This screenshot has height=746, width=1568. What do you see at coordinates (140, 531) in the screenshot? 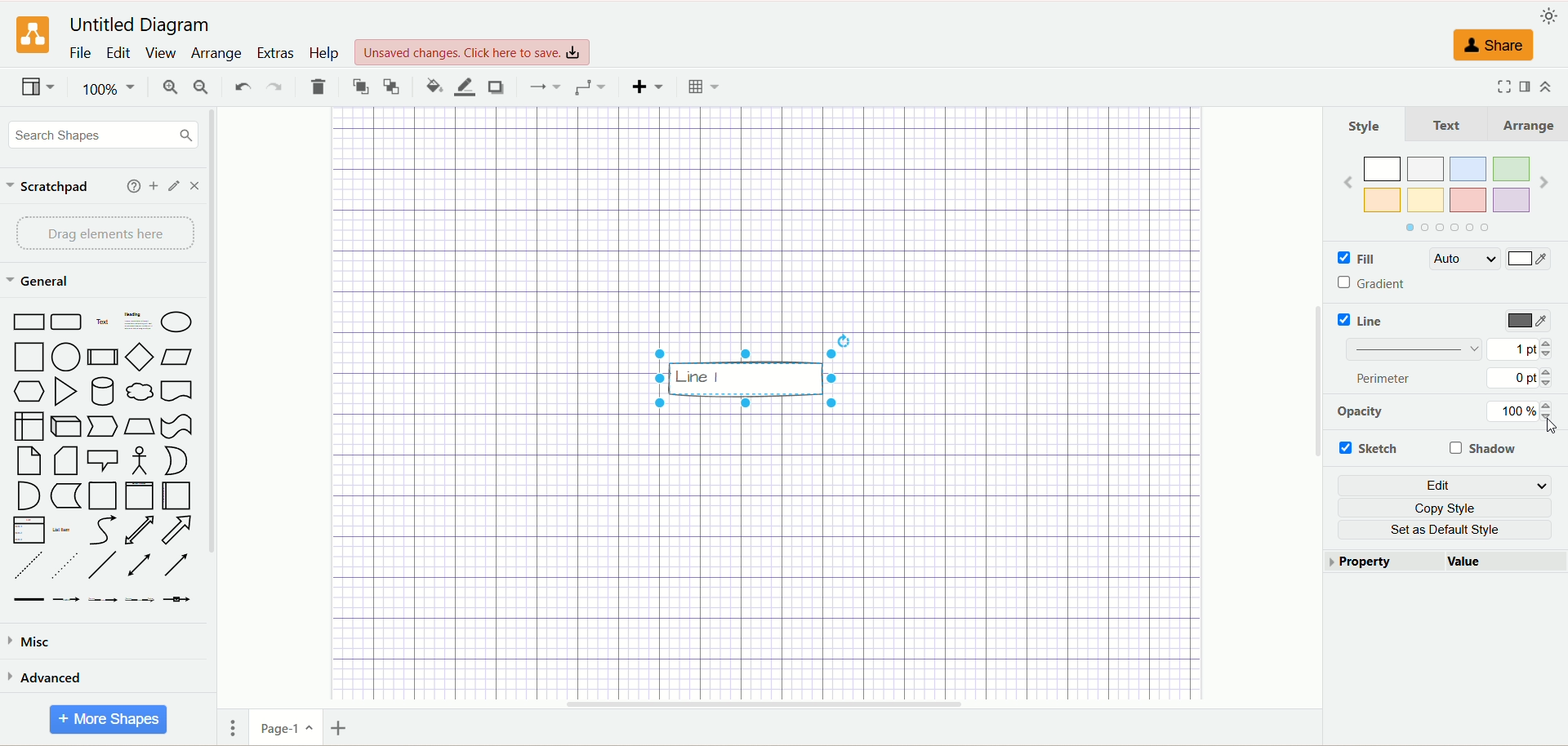
I see `Bidirectional Arrow` at bounding box center [140, 531].